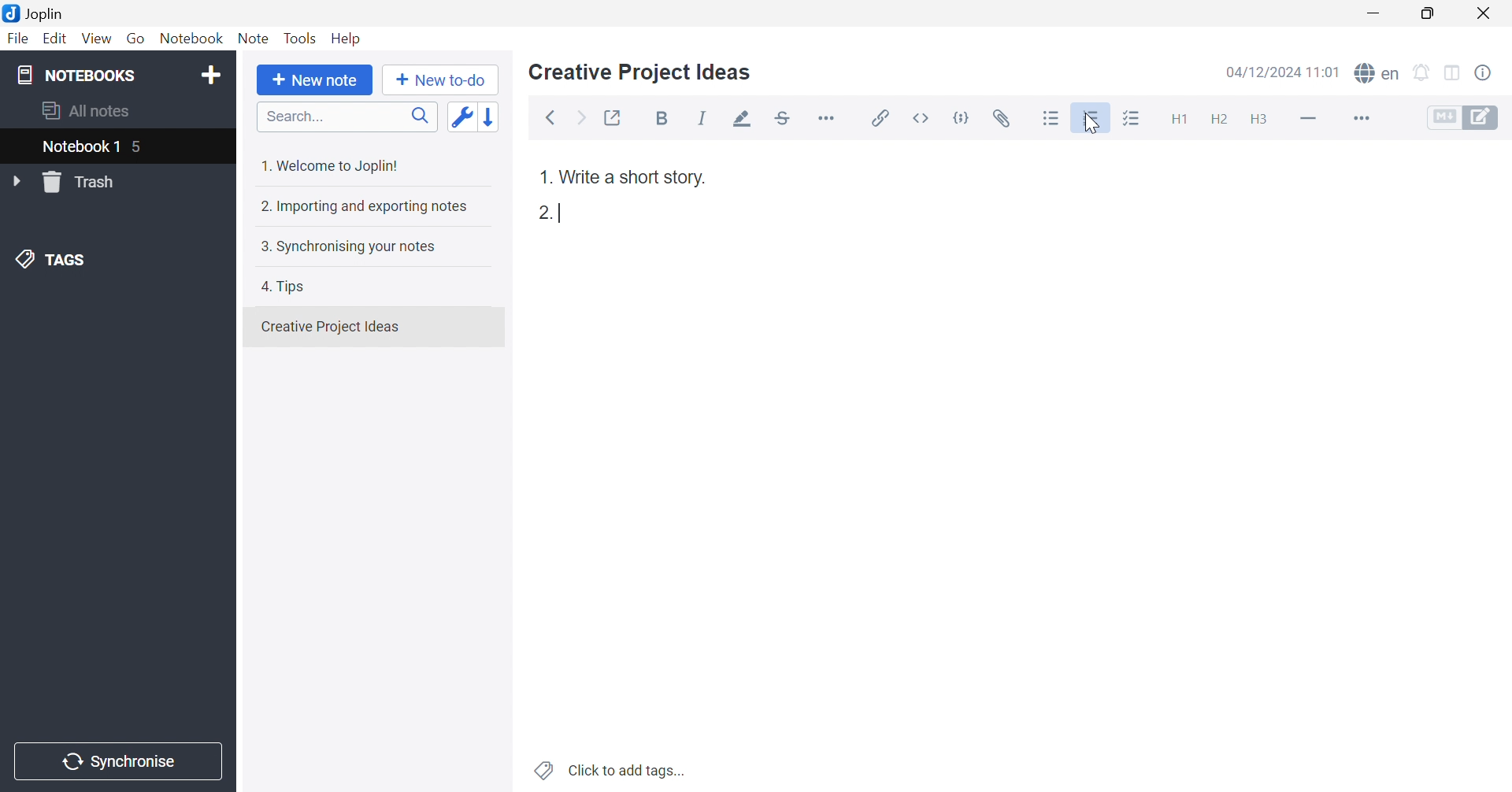 Image resolution: width=1512 pixels, height=792 pixels. Describe the element at coordinates (37, 12) in the screenshot. I see `Joplin` at that location.